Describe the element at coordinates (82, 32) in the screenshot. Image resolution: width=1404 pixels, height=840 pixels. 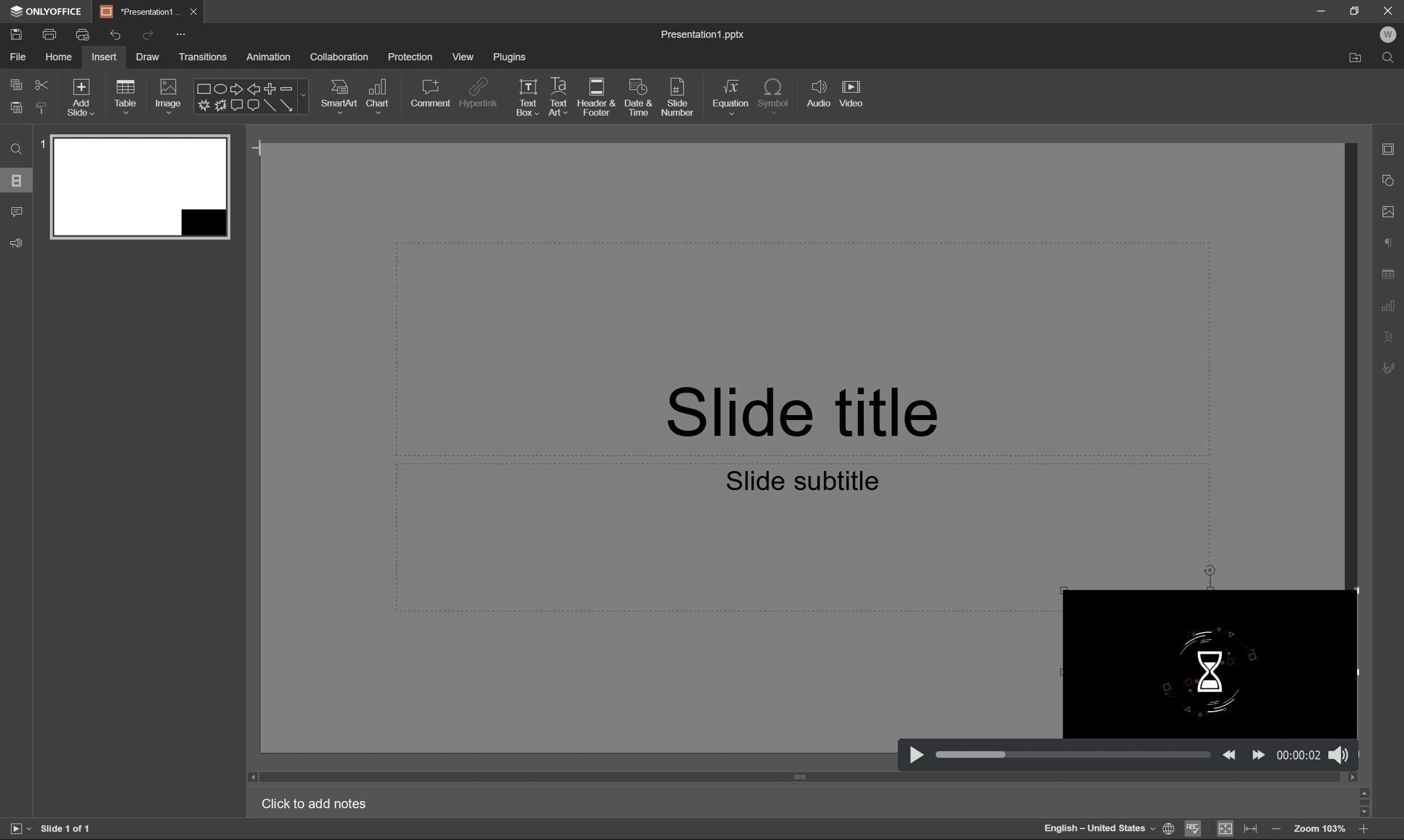
I see `quick print` at that location.